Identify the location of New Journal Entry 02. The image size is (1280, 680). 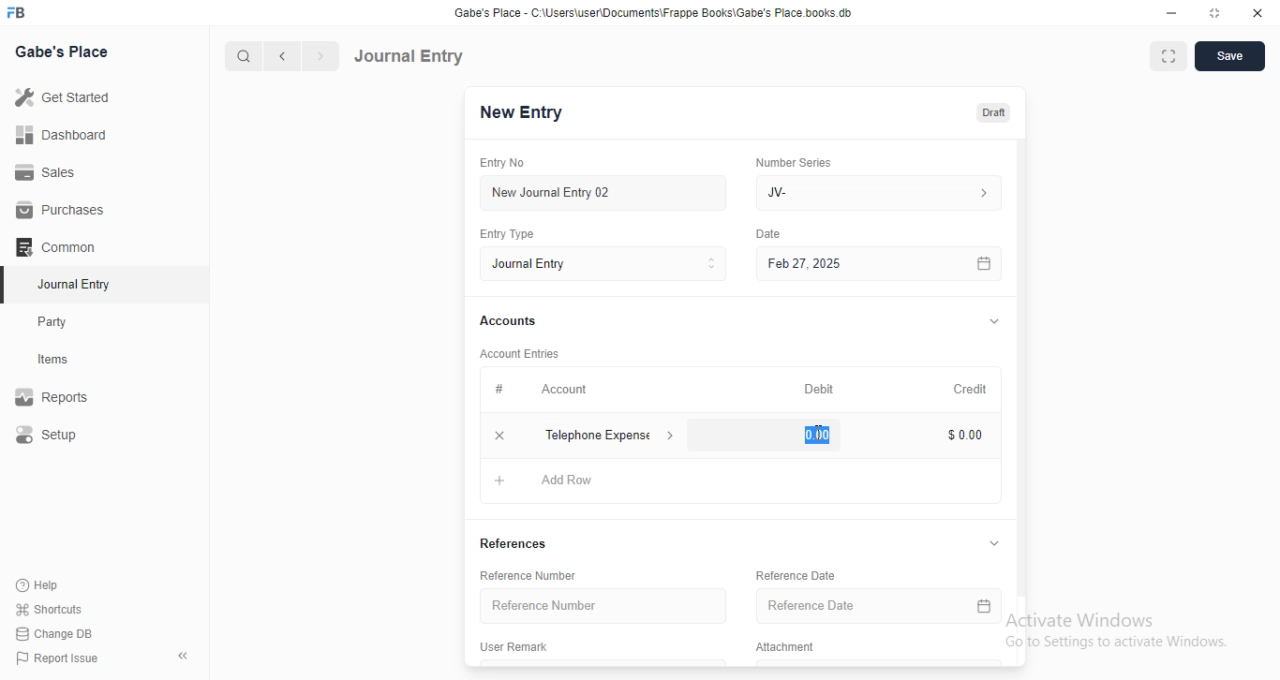
(605, 193).